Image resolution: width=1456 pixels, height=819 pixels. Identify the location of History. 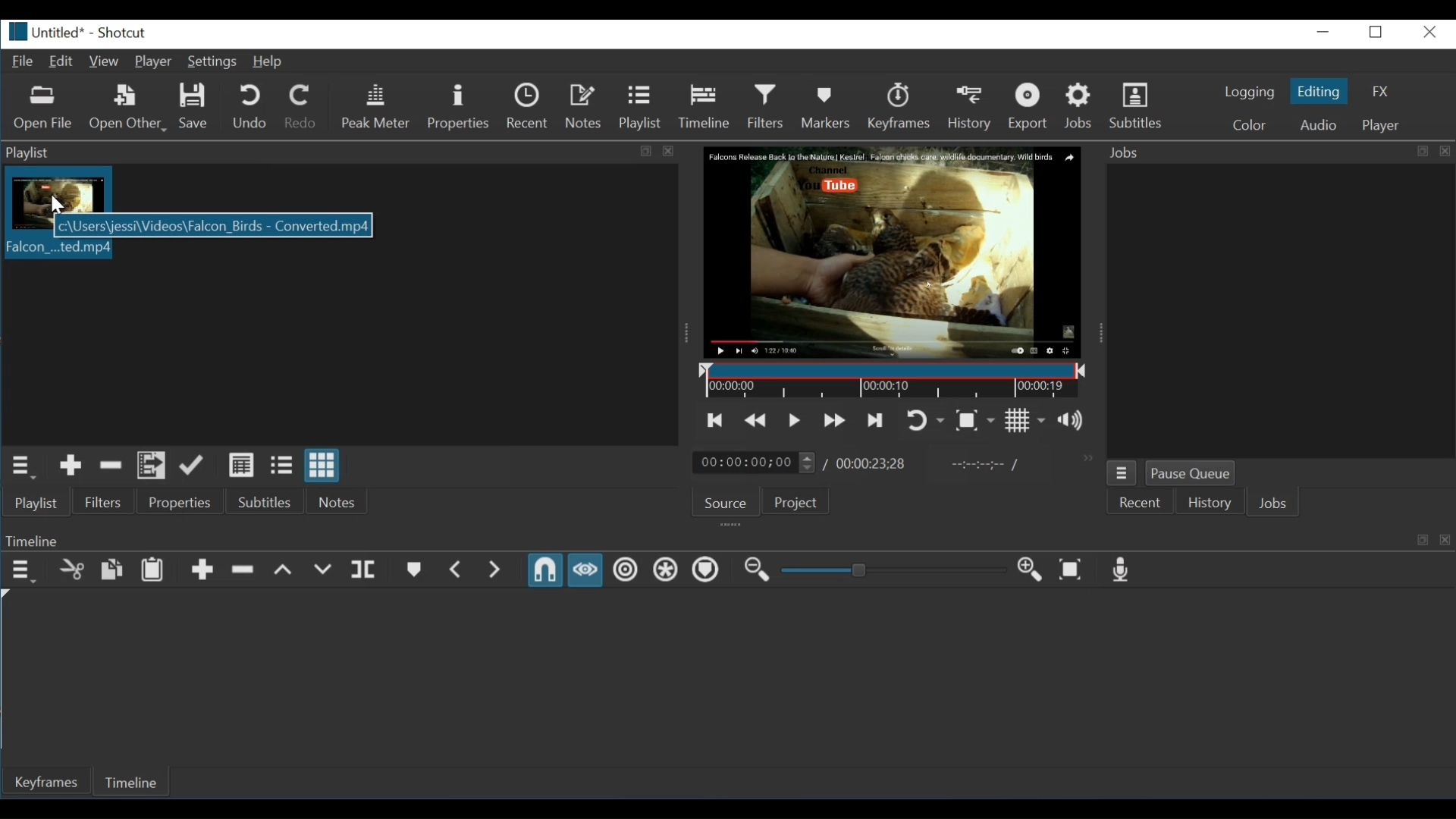
(1205, 505).